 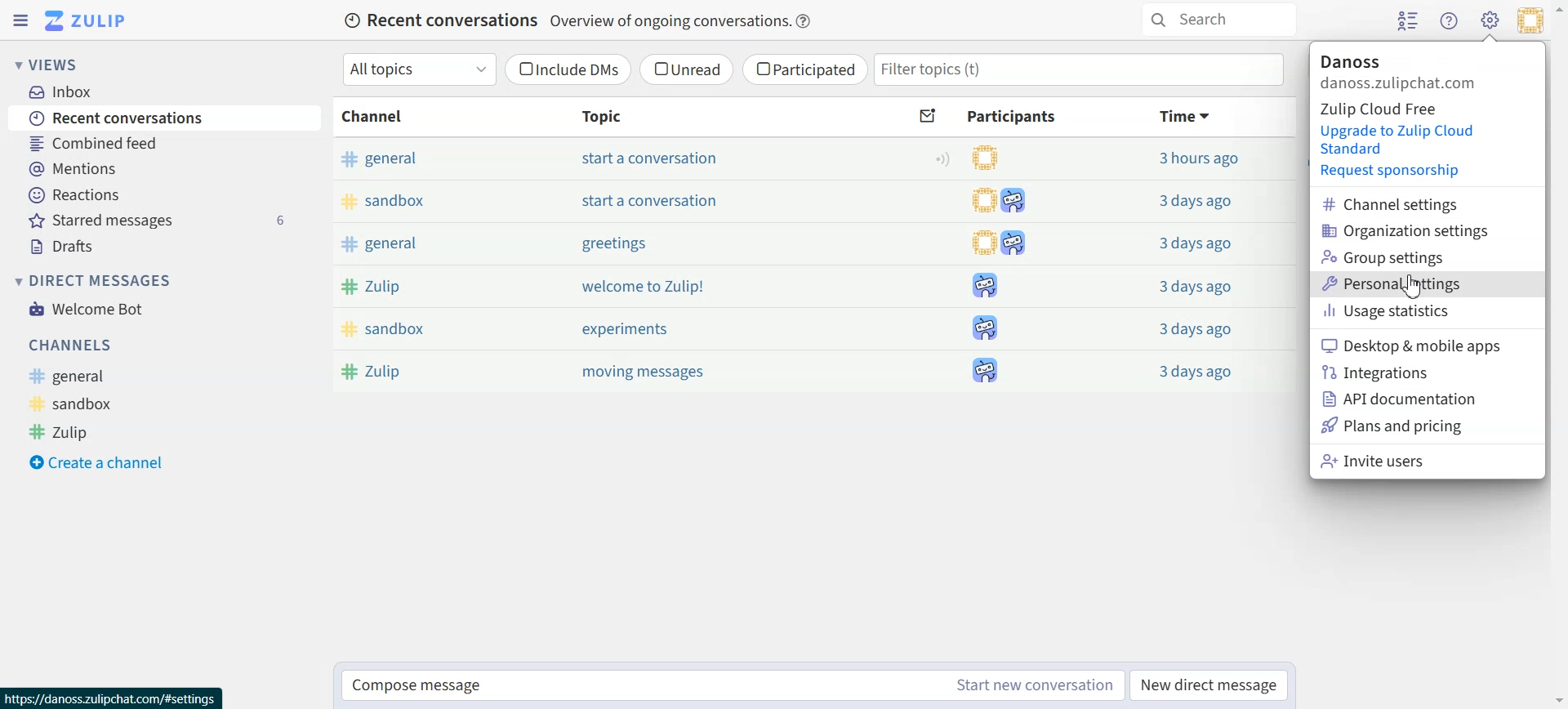 I want to click on Upgrade to Zulip Cloud Standard, so click(x=1400, y=142).